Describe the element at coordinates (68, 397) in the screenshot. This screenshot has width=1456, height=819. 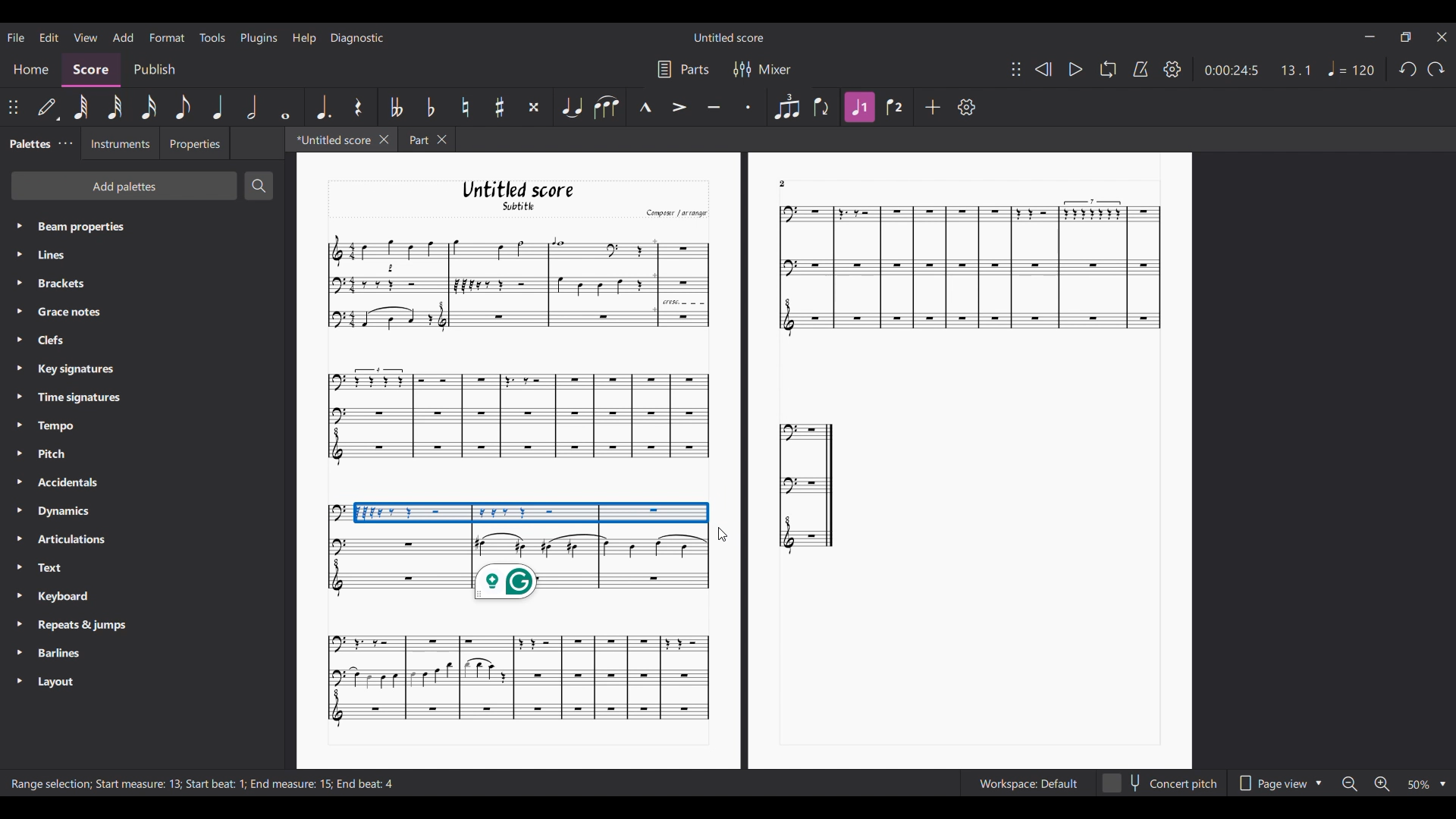
I see `» Time signature:` at that location.